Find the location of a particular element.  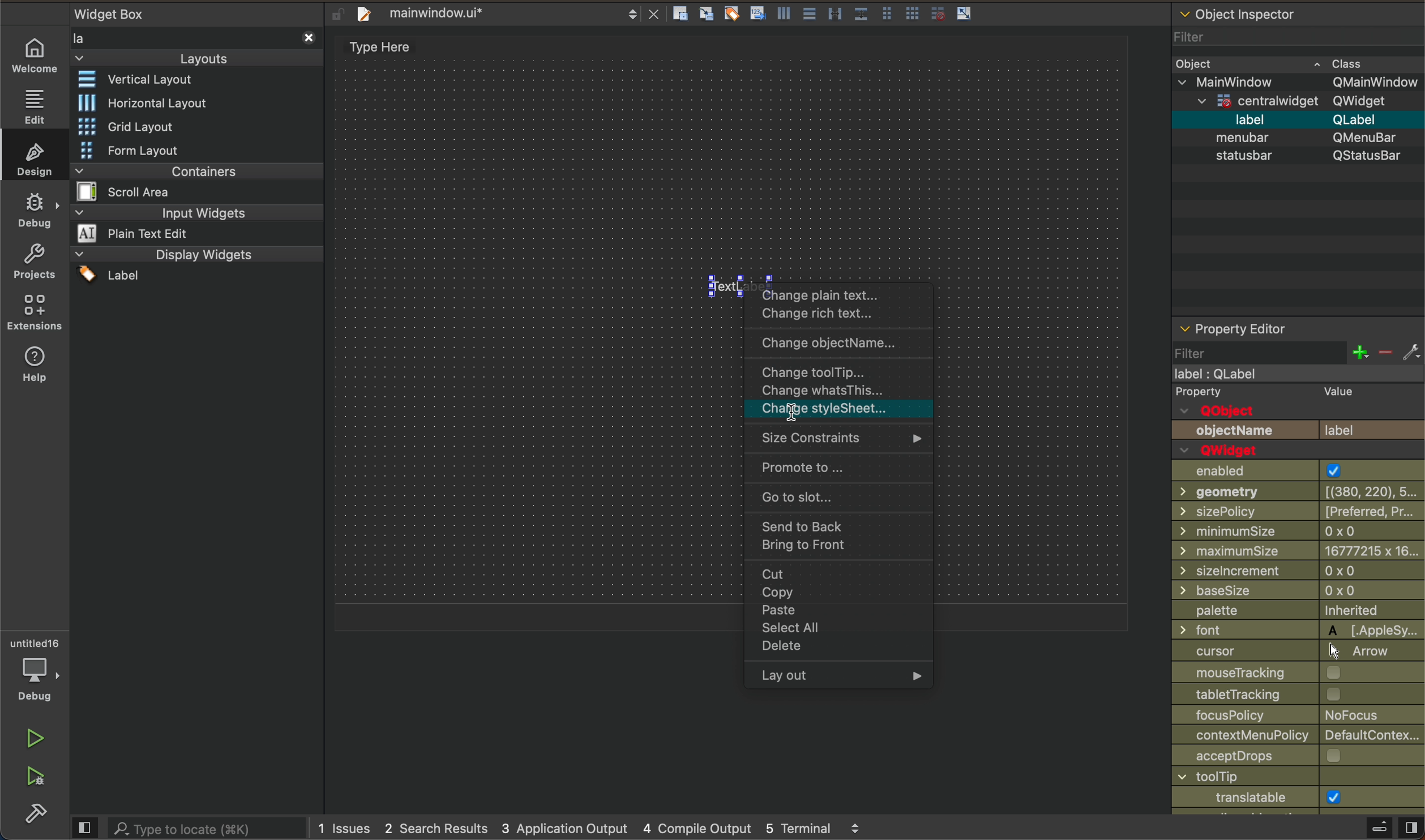

object inspector is located at coordinates (1298, 28).